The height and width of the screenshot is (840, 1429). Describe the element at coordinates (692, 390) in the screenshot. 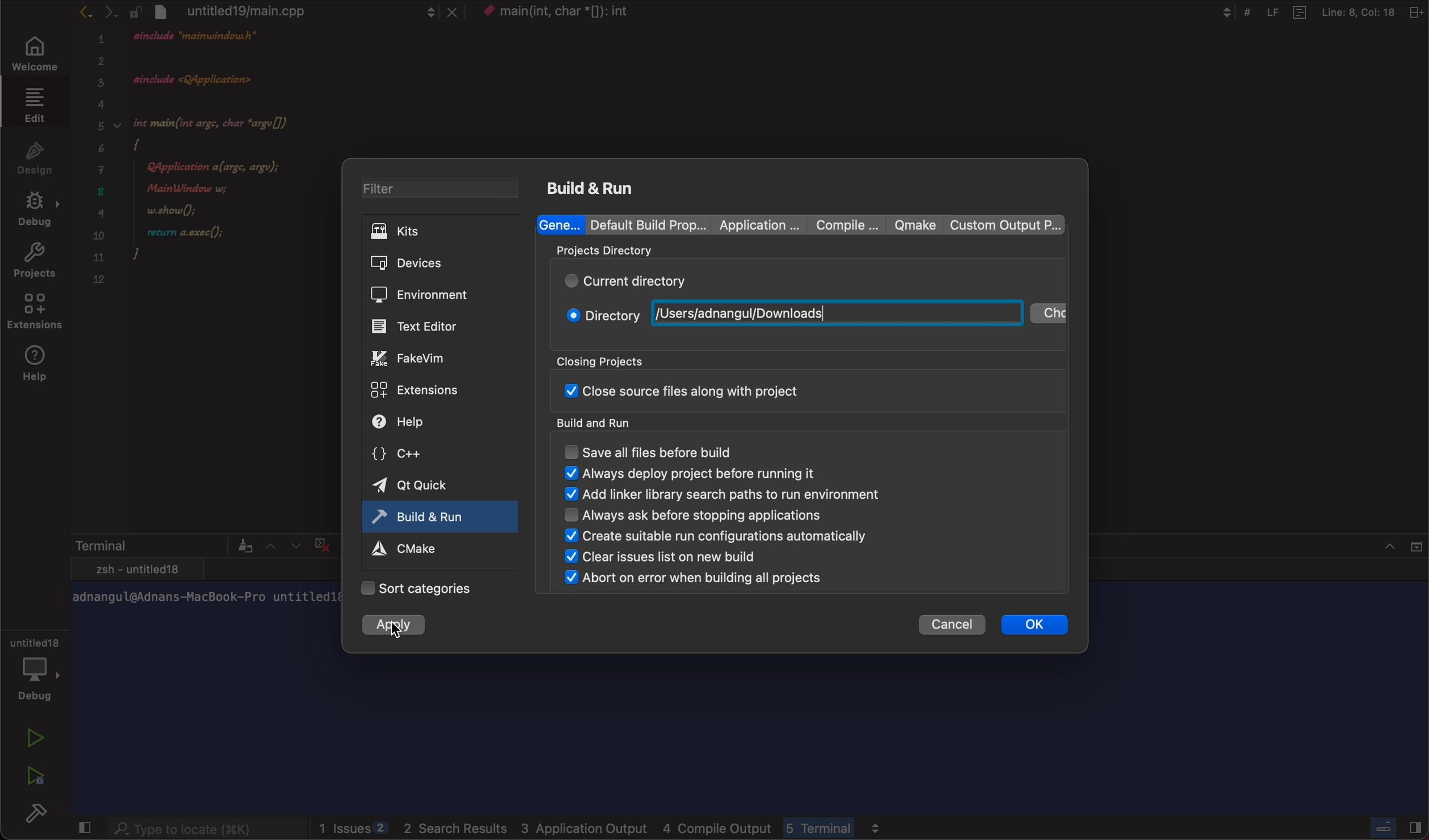

I see `close sourse file` at that location.